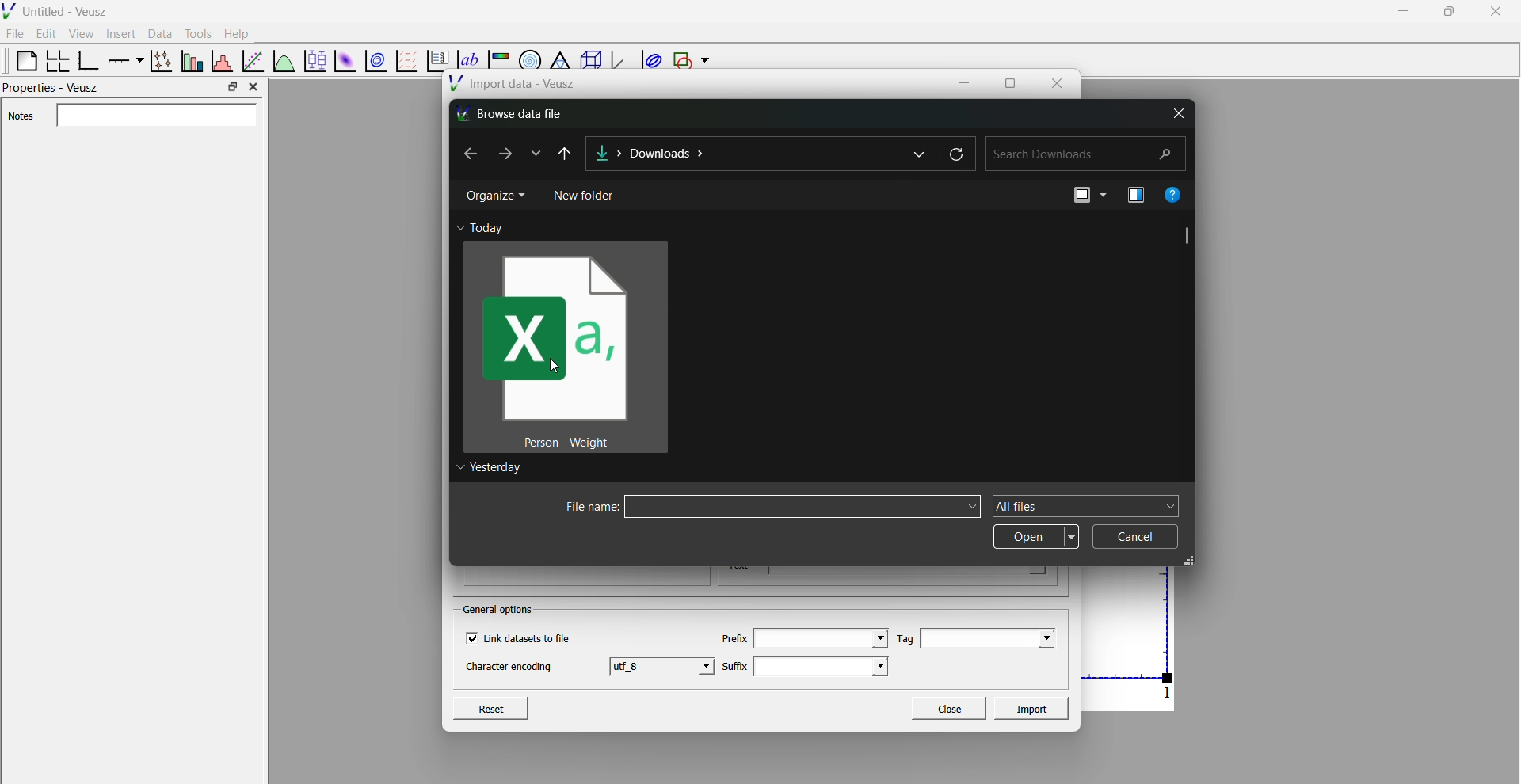 The image size is (1521, 784). Describe the element at coordinates (435, 62) in the screenshot. I see `plot key` at that location.